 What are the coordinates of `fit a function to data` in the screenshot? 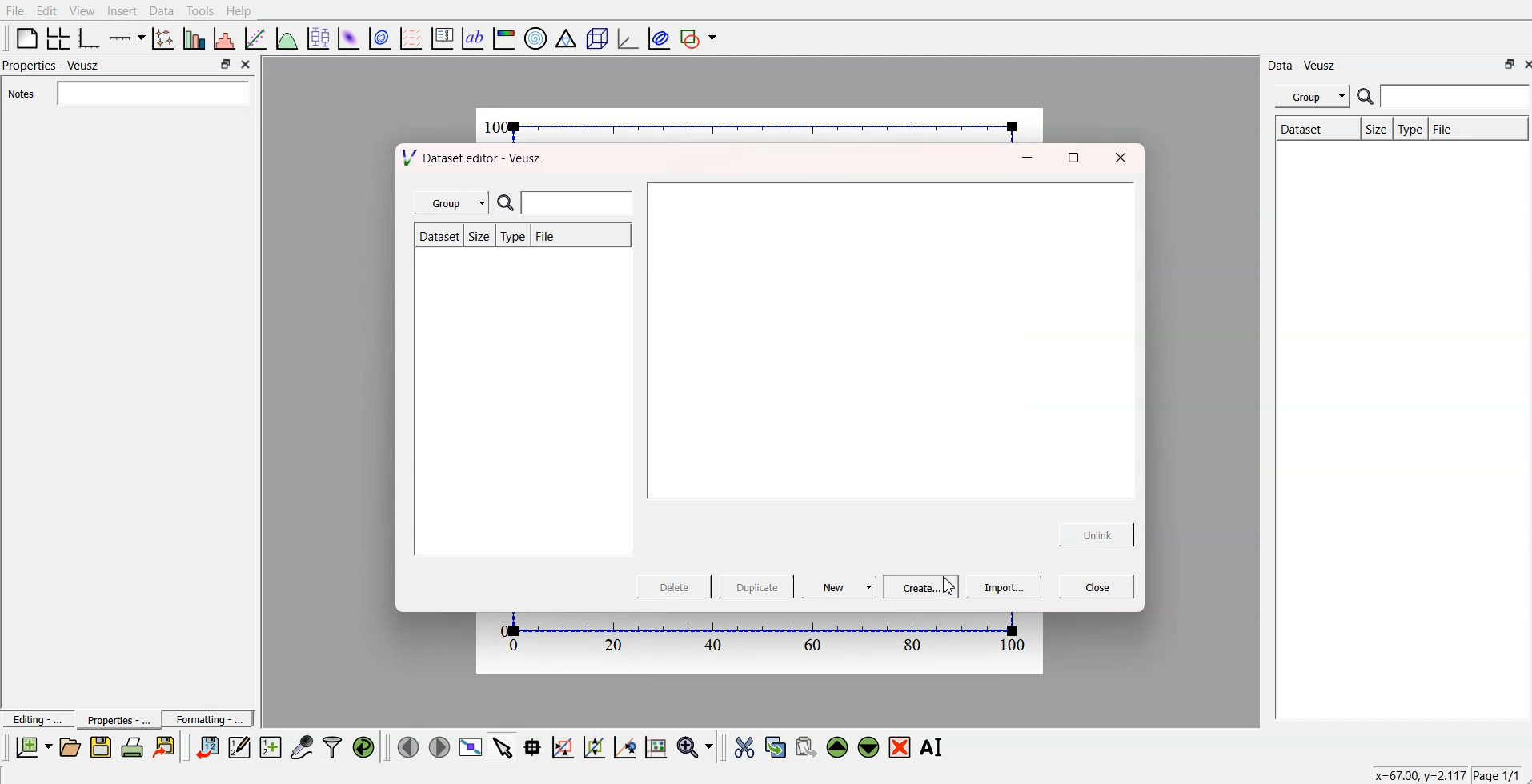 It's located at (256, 38).